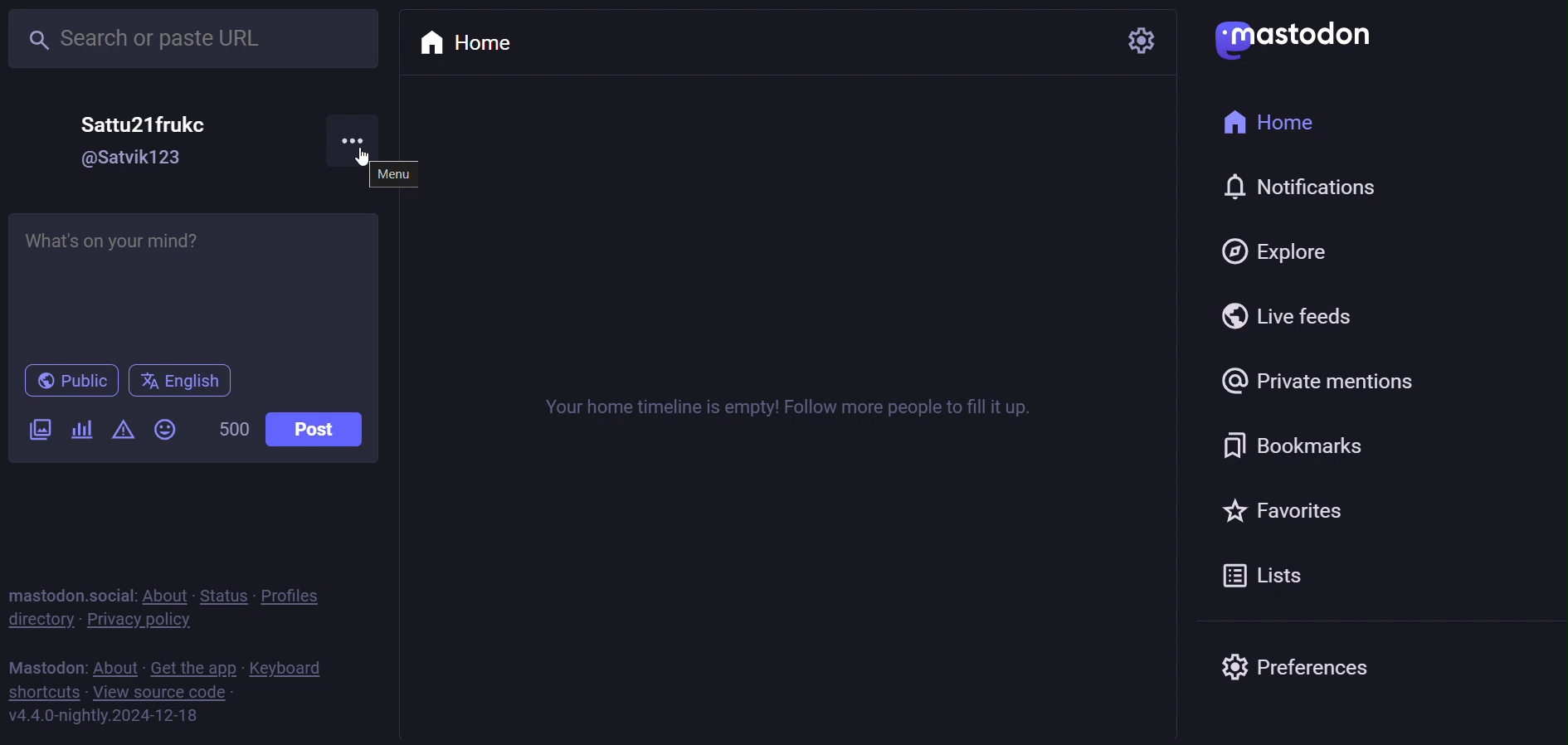  I want to click on add poll, so click(83, 433).